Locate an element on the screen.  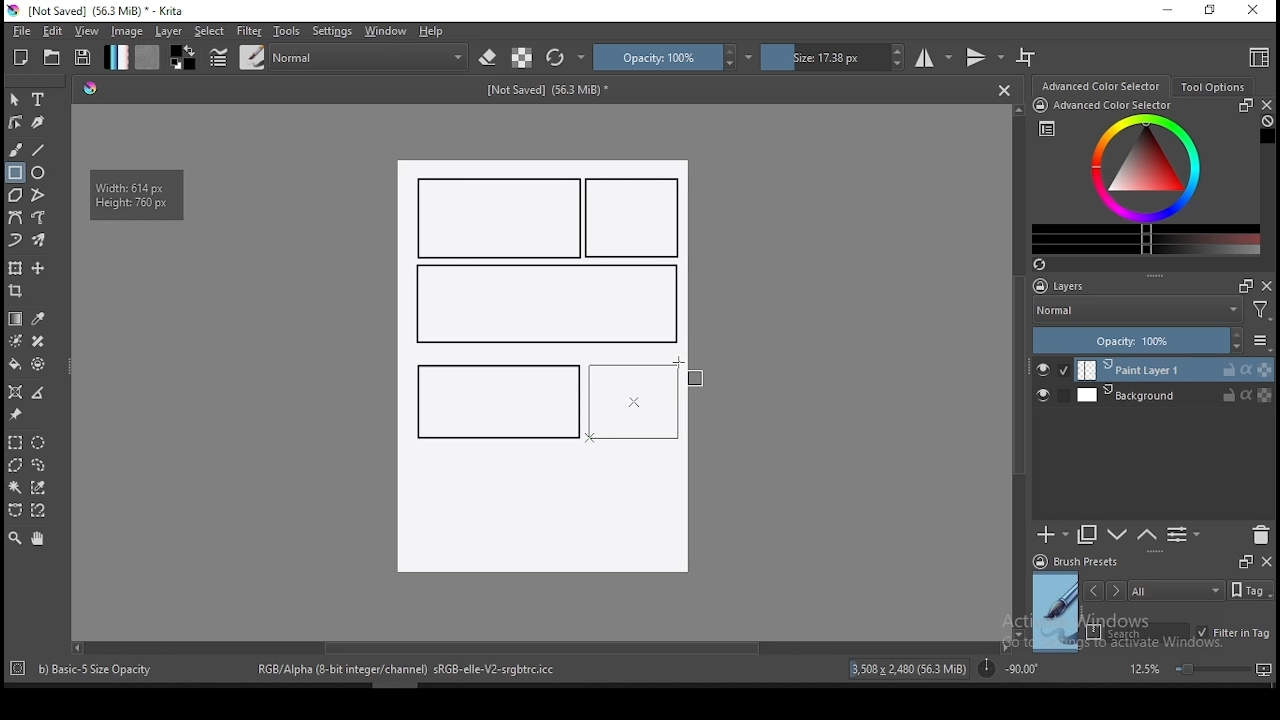
active rectangle is located at coordinates (632, 400).